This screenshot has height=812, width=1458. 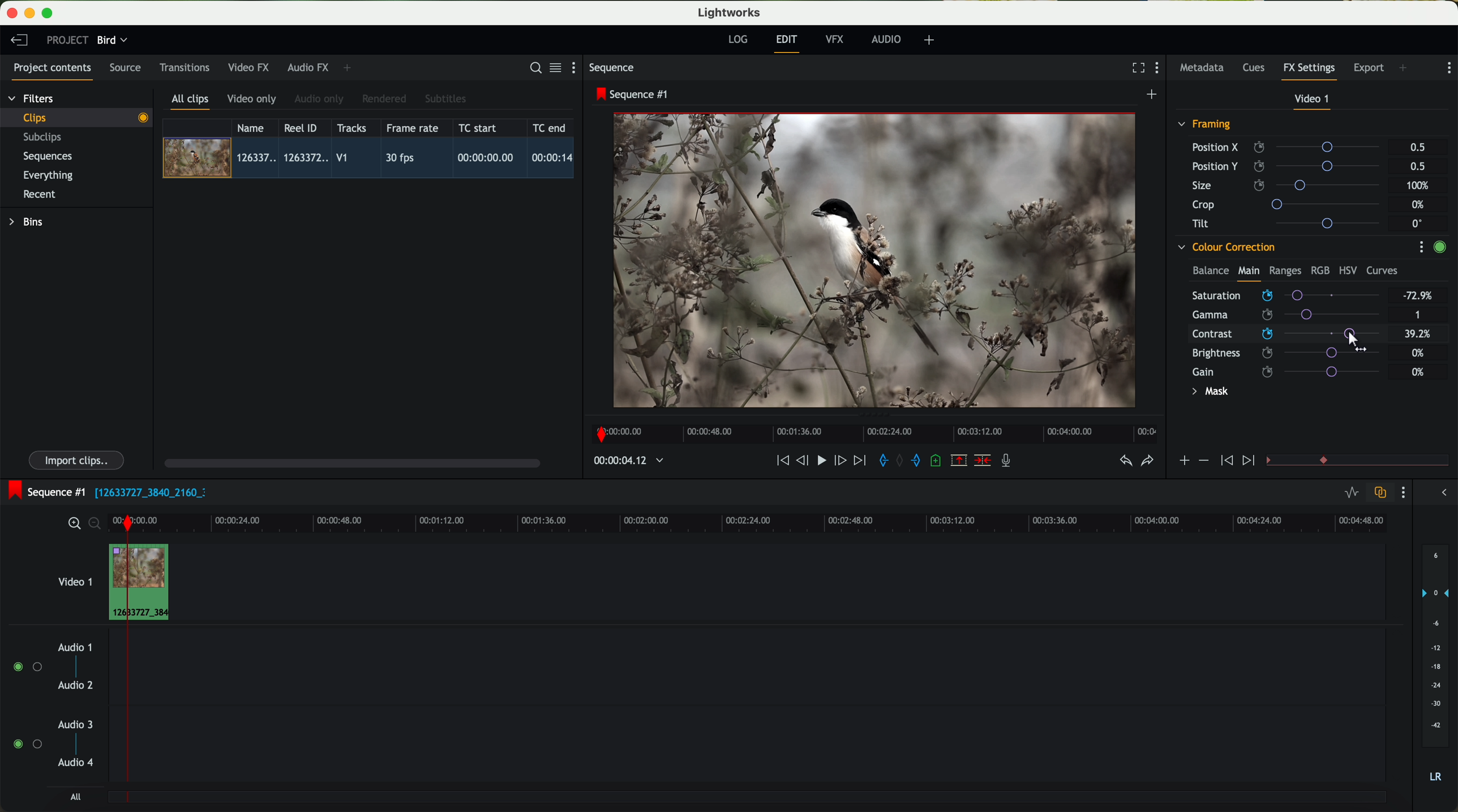 I want to click on toggle audio levels editing, so click(x=1351, y=494).